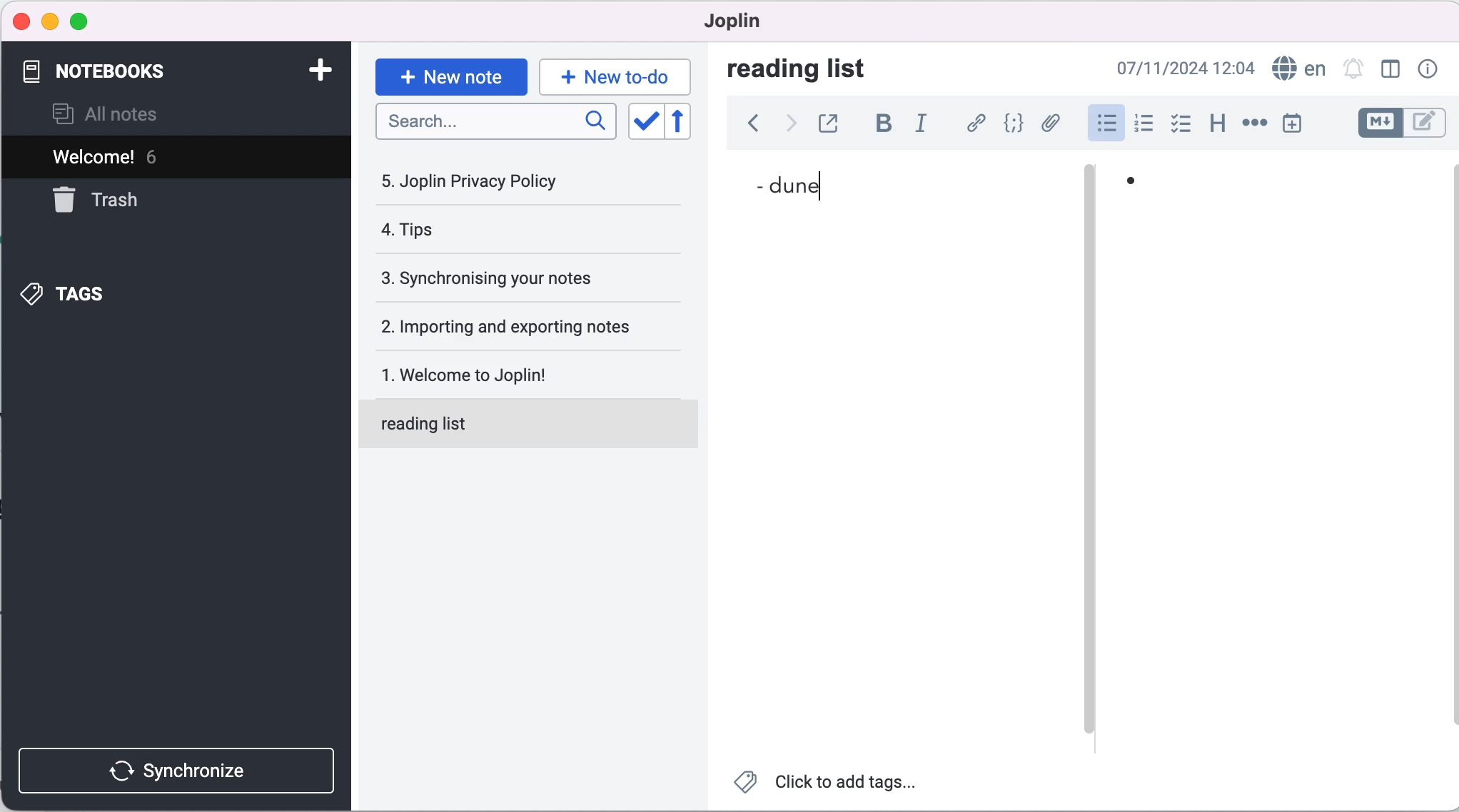  Describe the element at coordinates (749, 123) in the screenshot. I see `back` at that location.